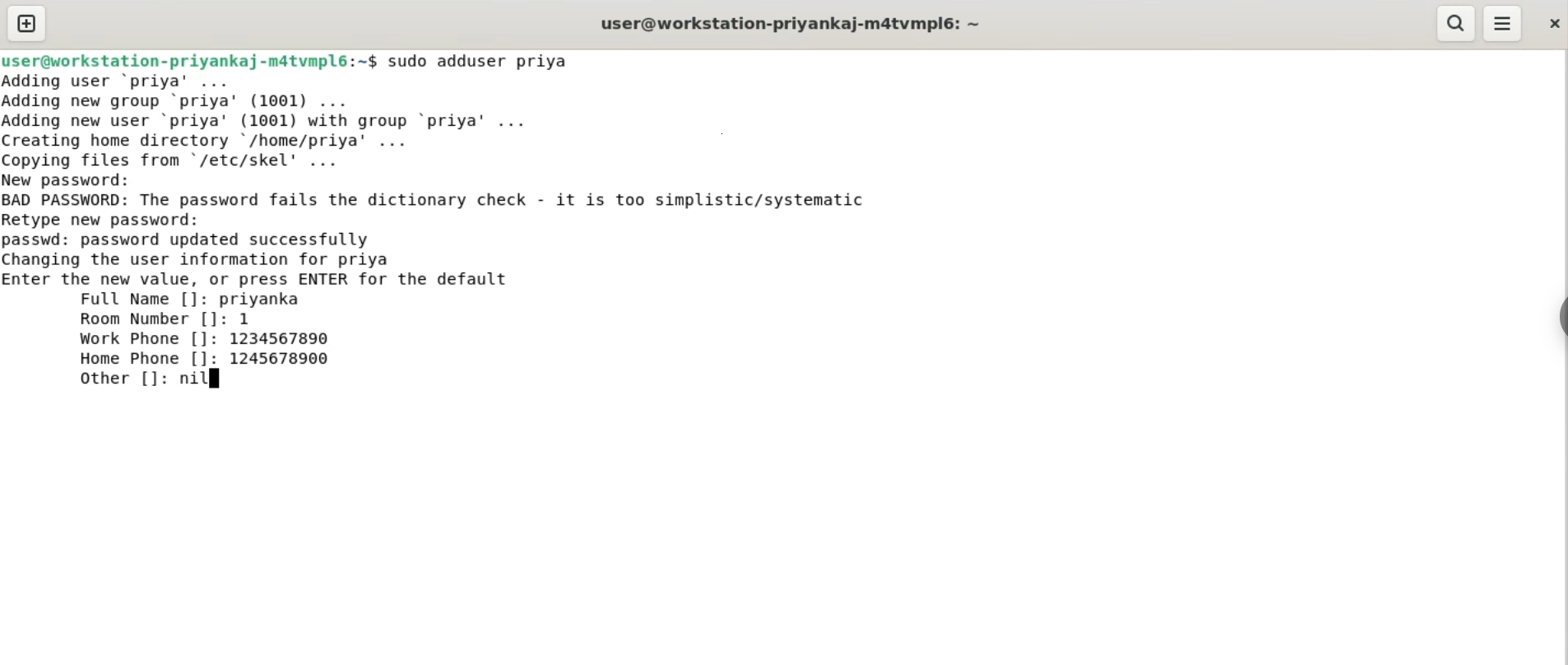  Describe the element at coordinates (1454, 23) in the screenshot. I see `search` at that location.